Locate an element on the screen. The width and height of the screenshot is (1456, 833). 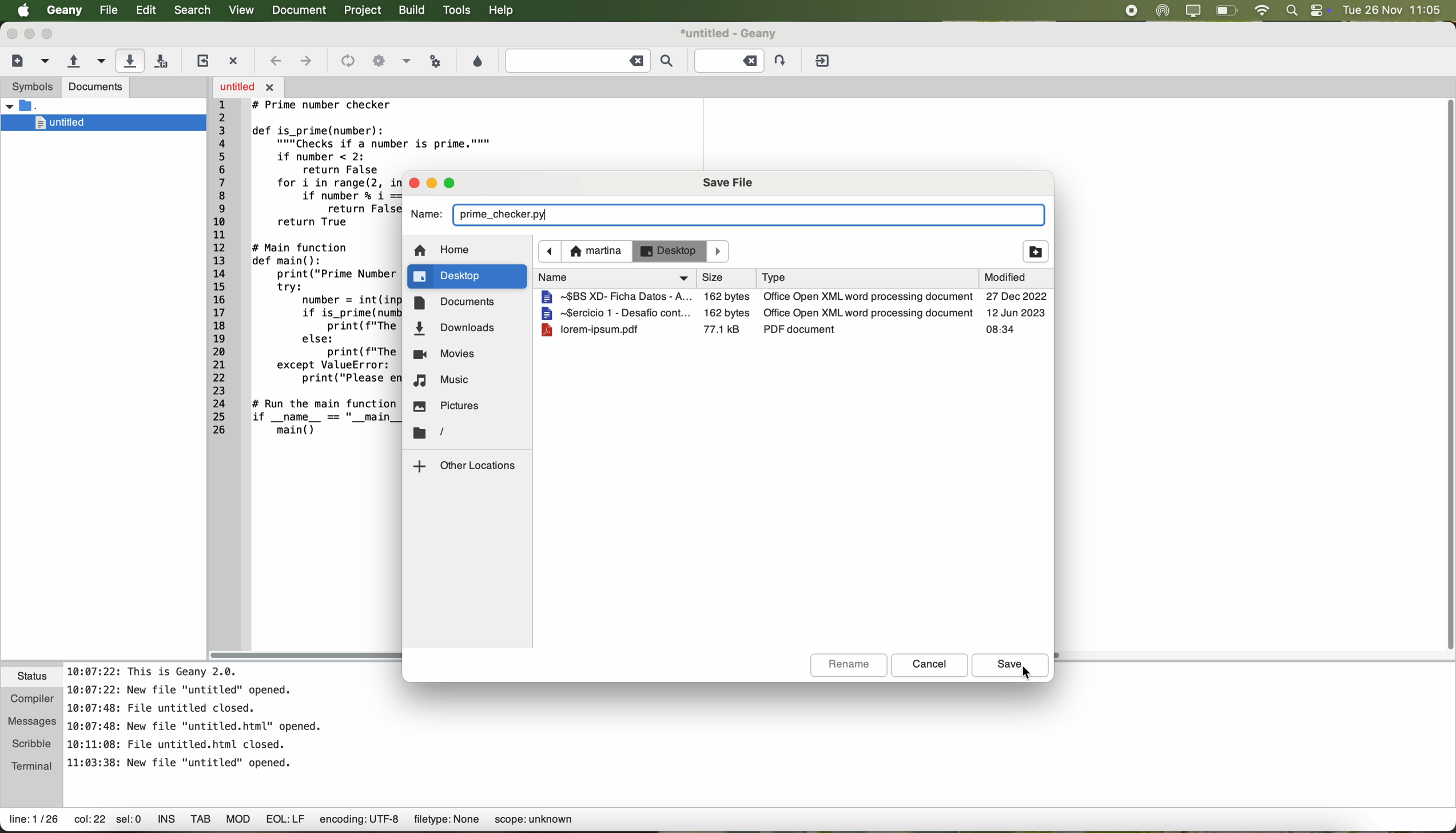
navigate back is located at coordinates (550, 251).